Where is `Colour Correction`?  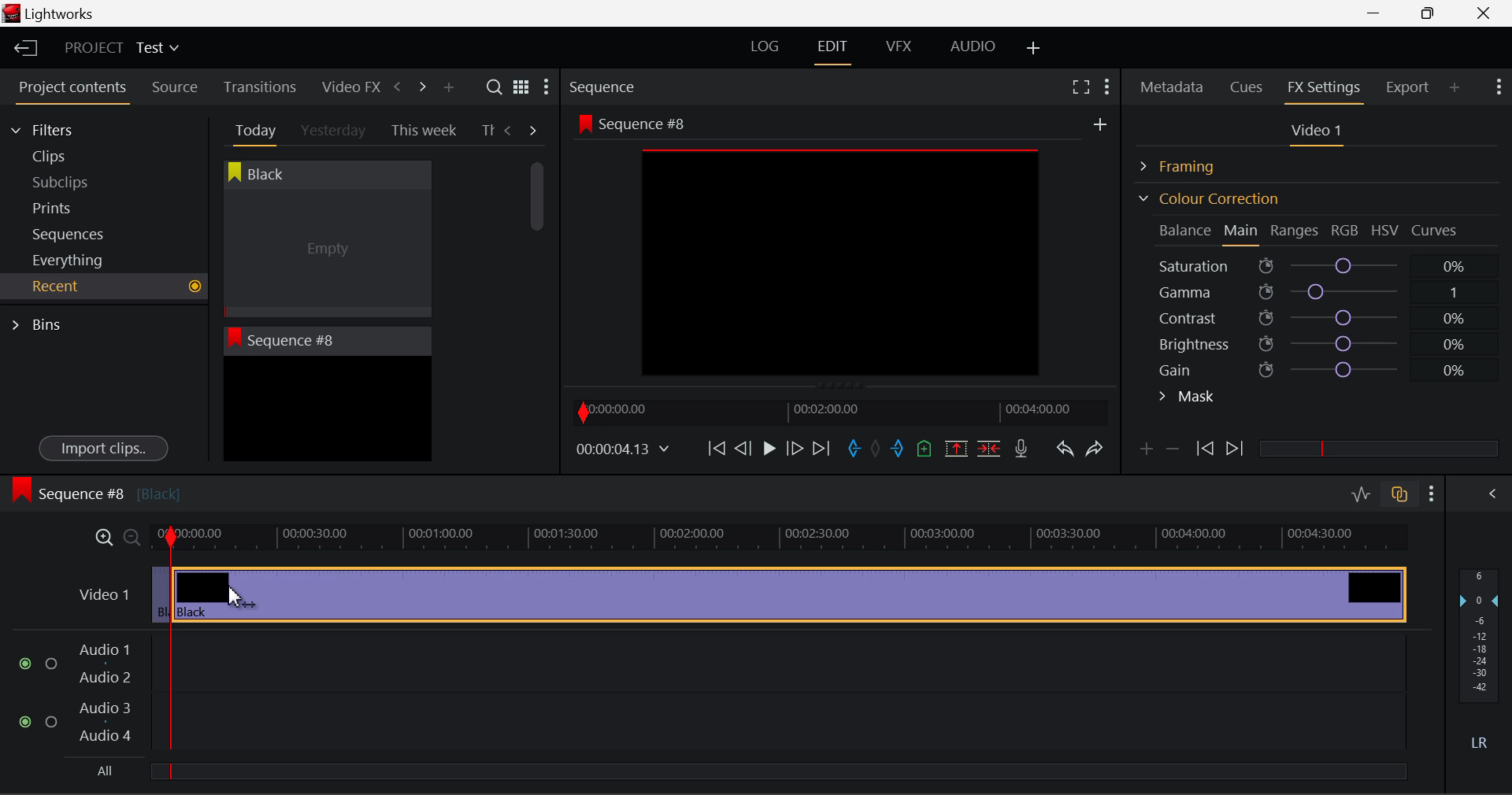
Colour Correction is located at coordinates (1208, 198).